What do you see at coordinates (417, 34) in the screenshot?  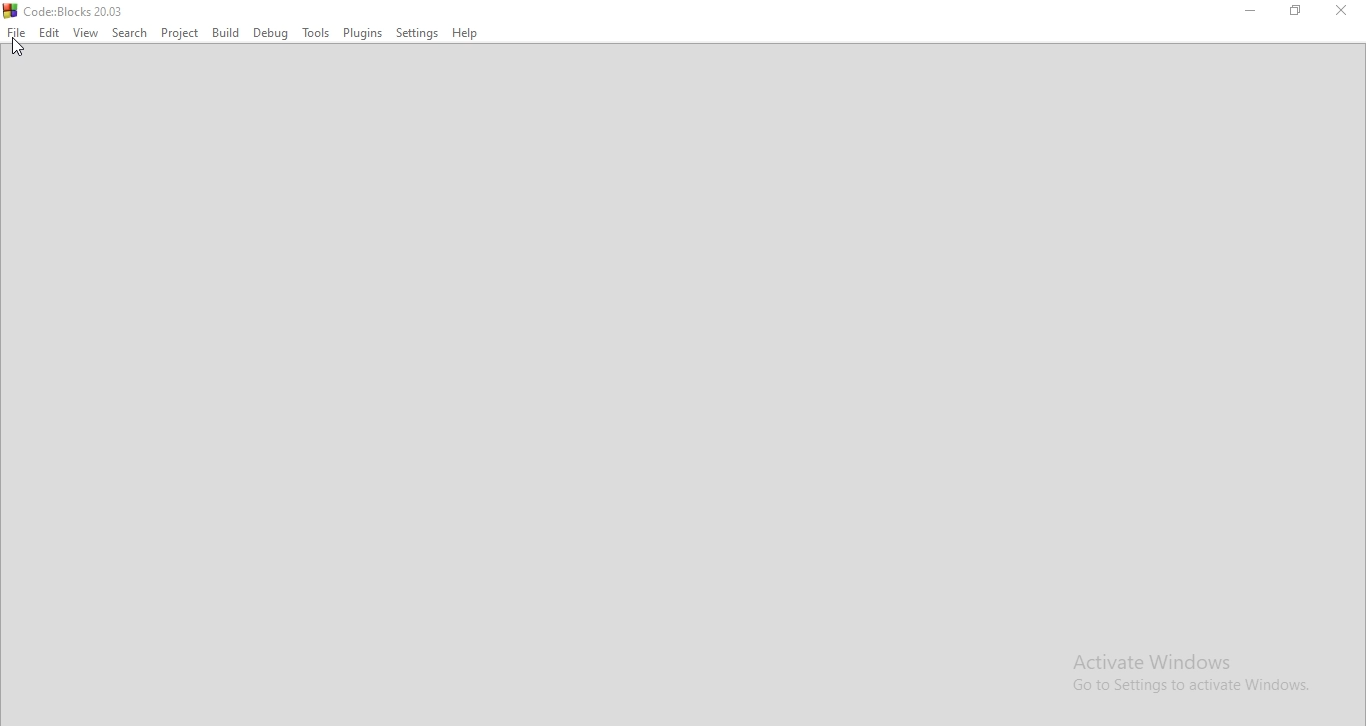 I see `Settings ` at bounding box center [417, 34].